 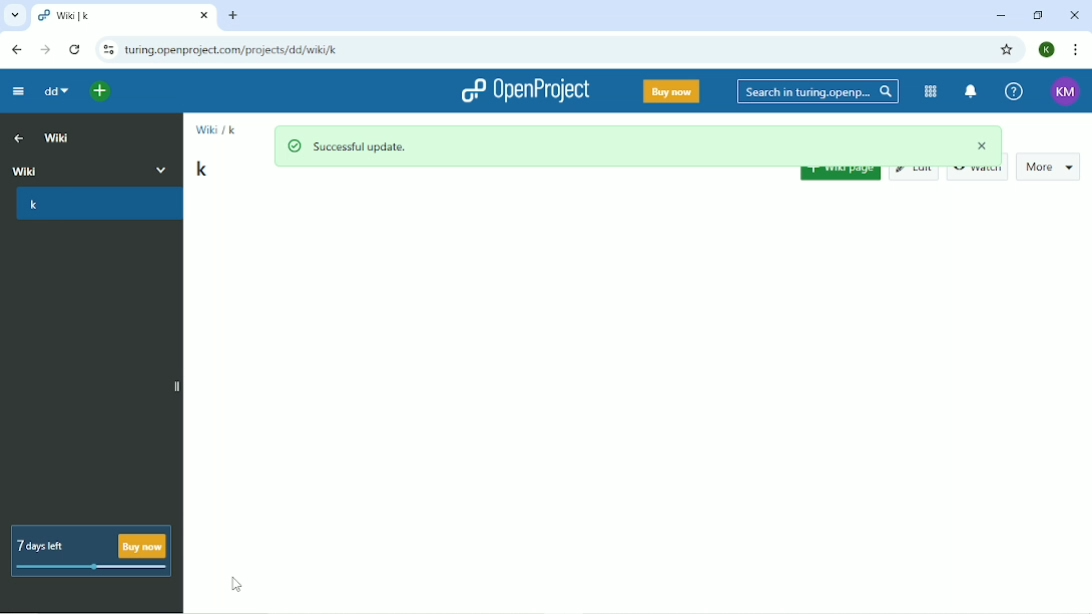 I want to click on Cursor, so click(x=234, y=584).